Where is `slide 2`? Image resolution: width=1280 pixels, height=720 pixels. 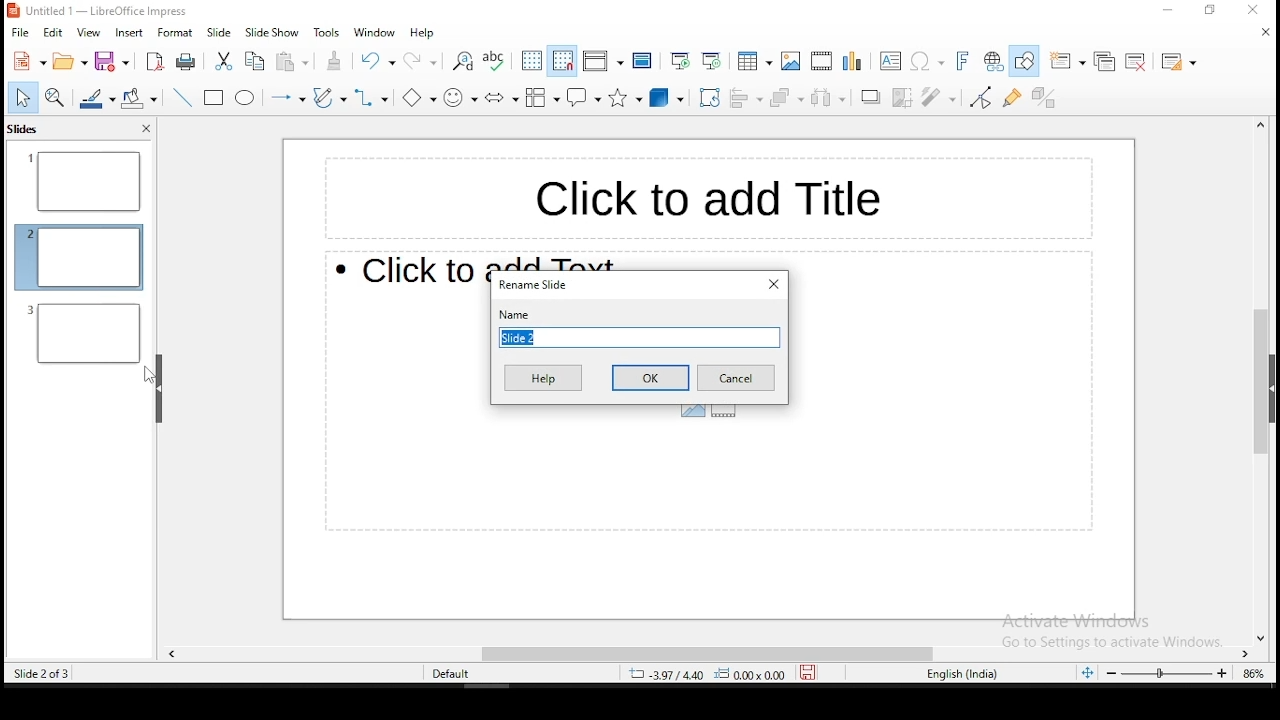
slide 2 is located at coordinates (85, 333).